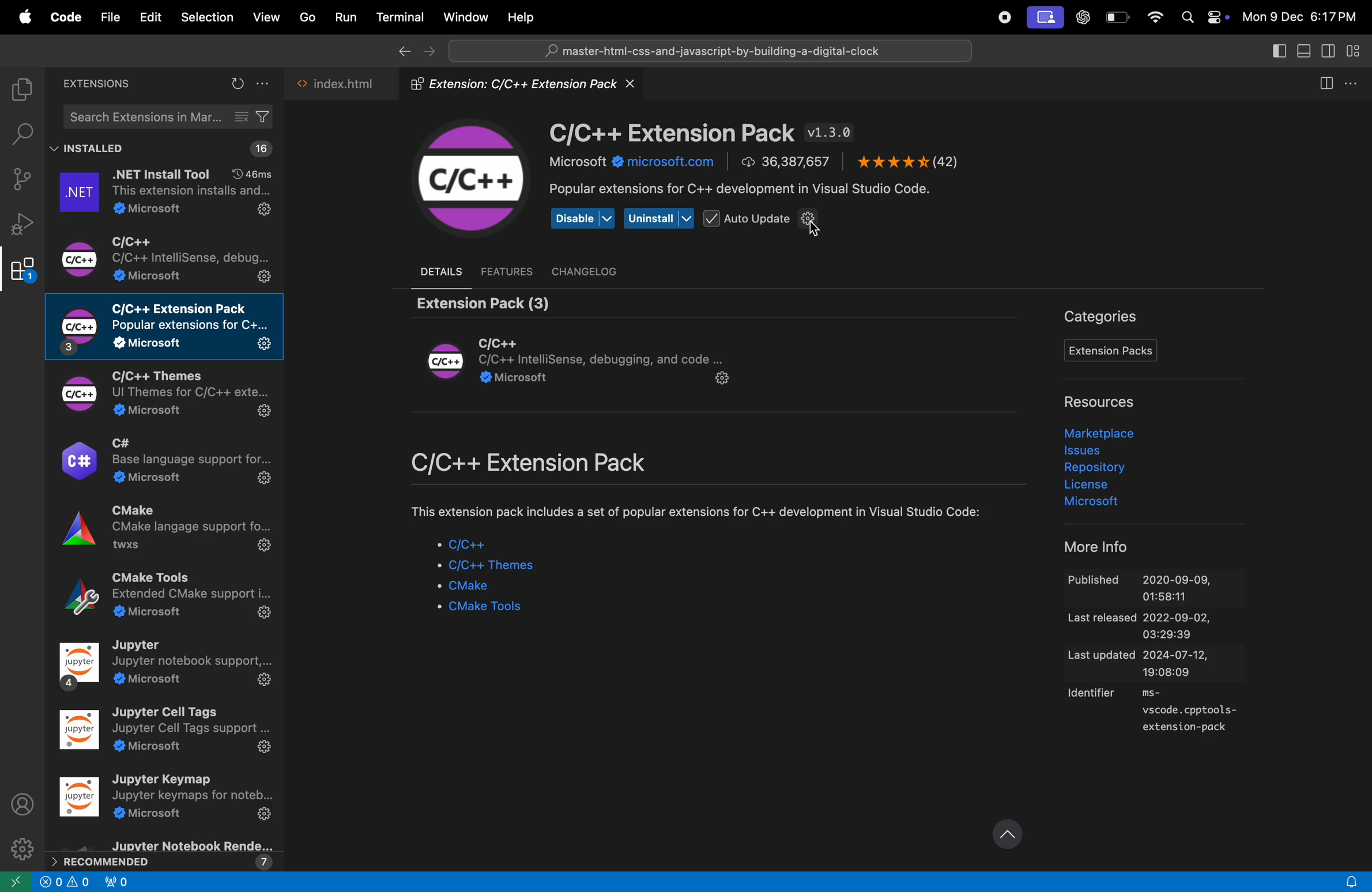 This screenshot has width=1372, height=892. I want to click on 16, so click(258, 150).